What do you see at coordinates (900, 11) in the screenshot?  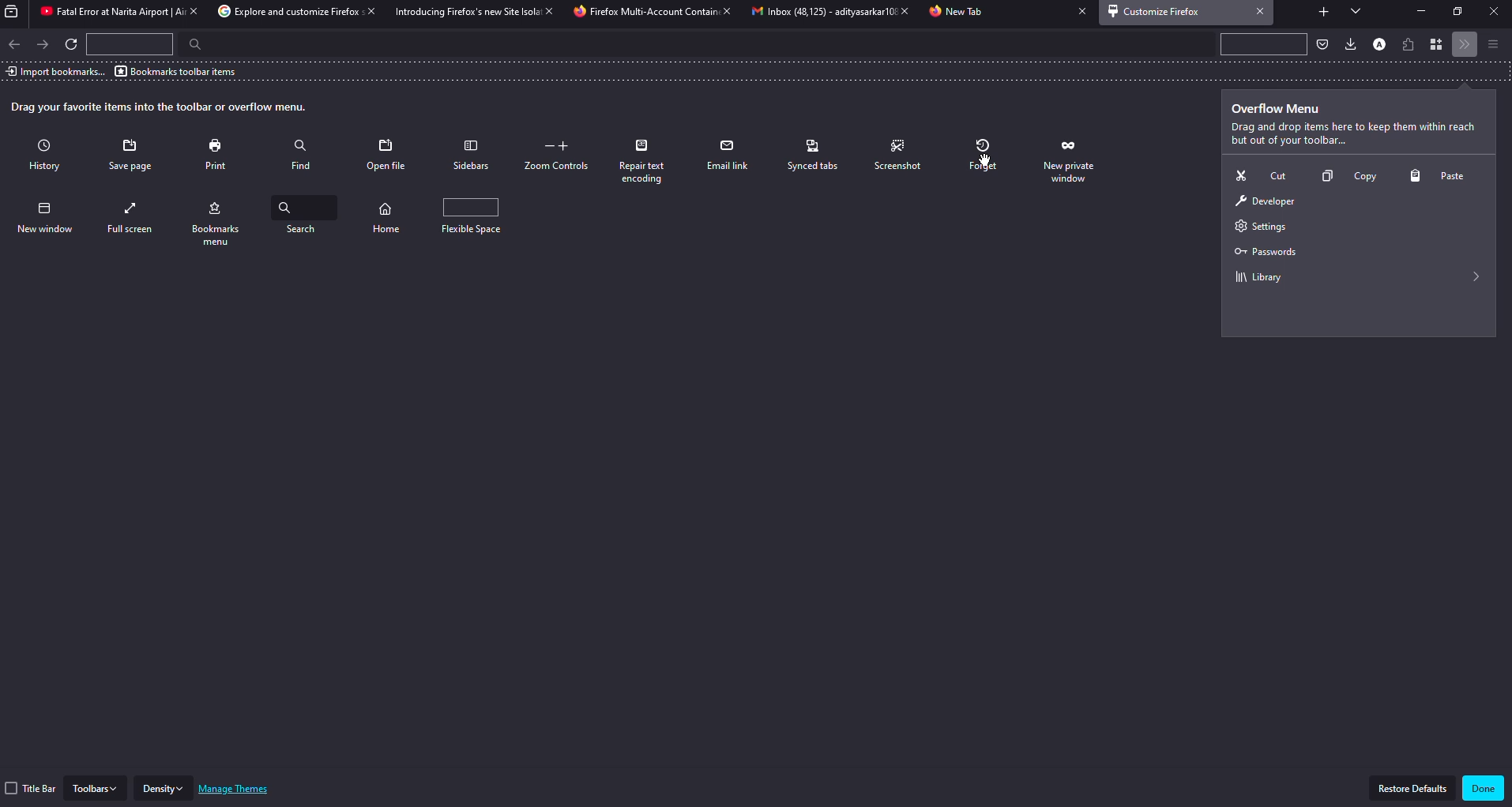 I see `close` at bounding box center [900, 11].